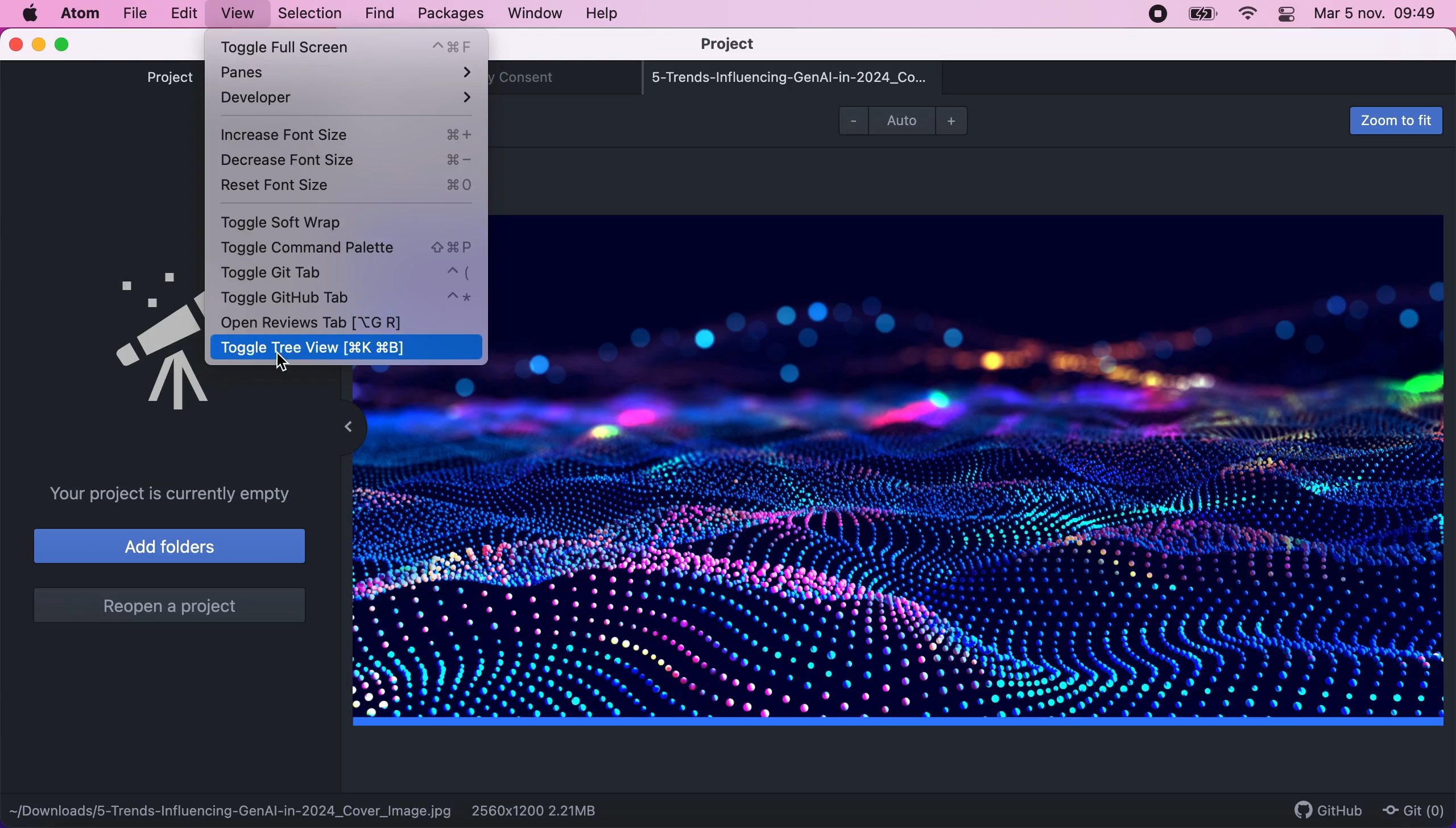  Describe the element at coordinates (348, 298) in the screenshot. I see `toggle github tab` at that location.